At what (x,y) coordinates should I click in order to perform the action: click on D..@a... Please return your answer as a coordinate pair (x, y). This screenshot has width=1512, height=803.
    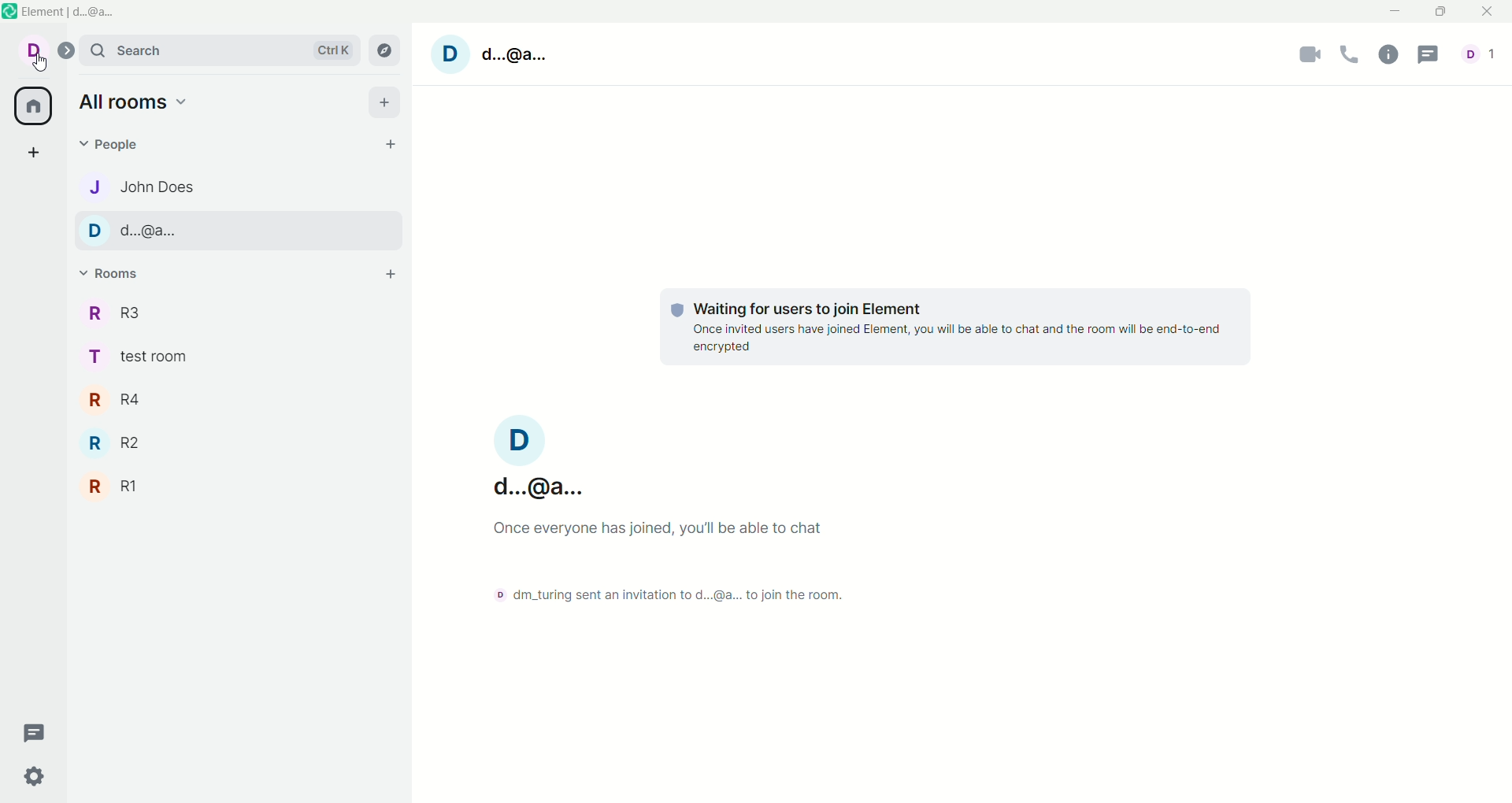
    Looking at the image, I should click on (235, 233).